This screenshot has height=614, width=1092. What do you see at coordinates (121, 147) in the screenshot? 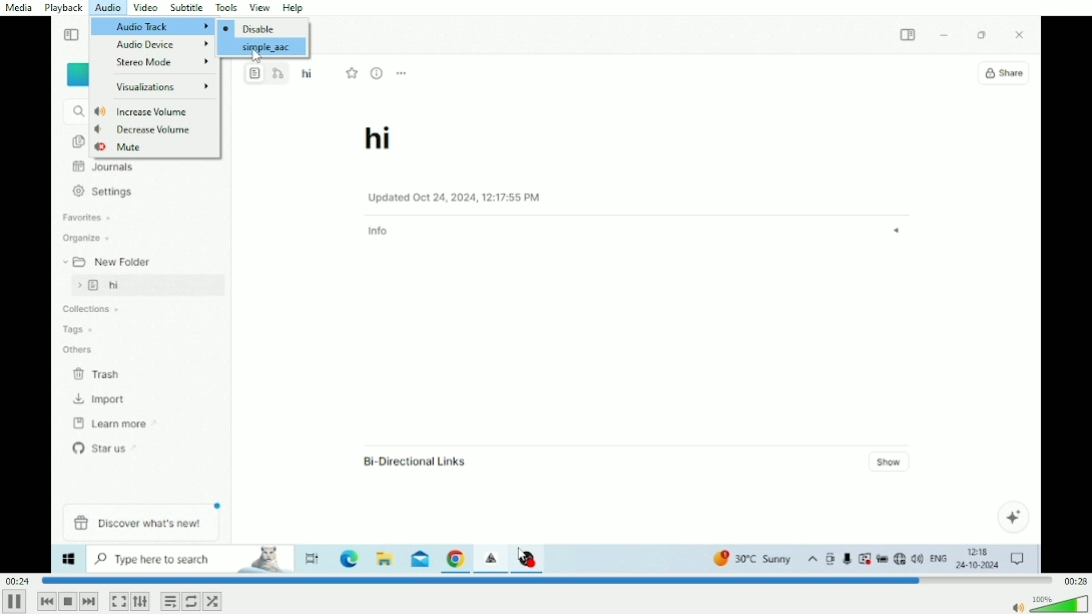
I see `Mute` at bounding box center [121, 147].